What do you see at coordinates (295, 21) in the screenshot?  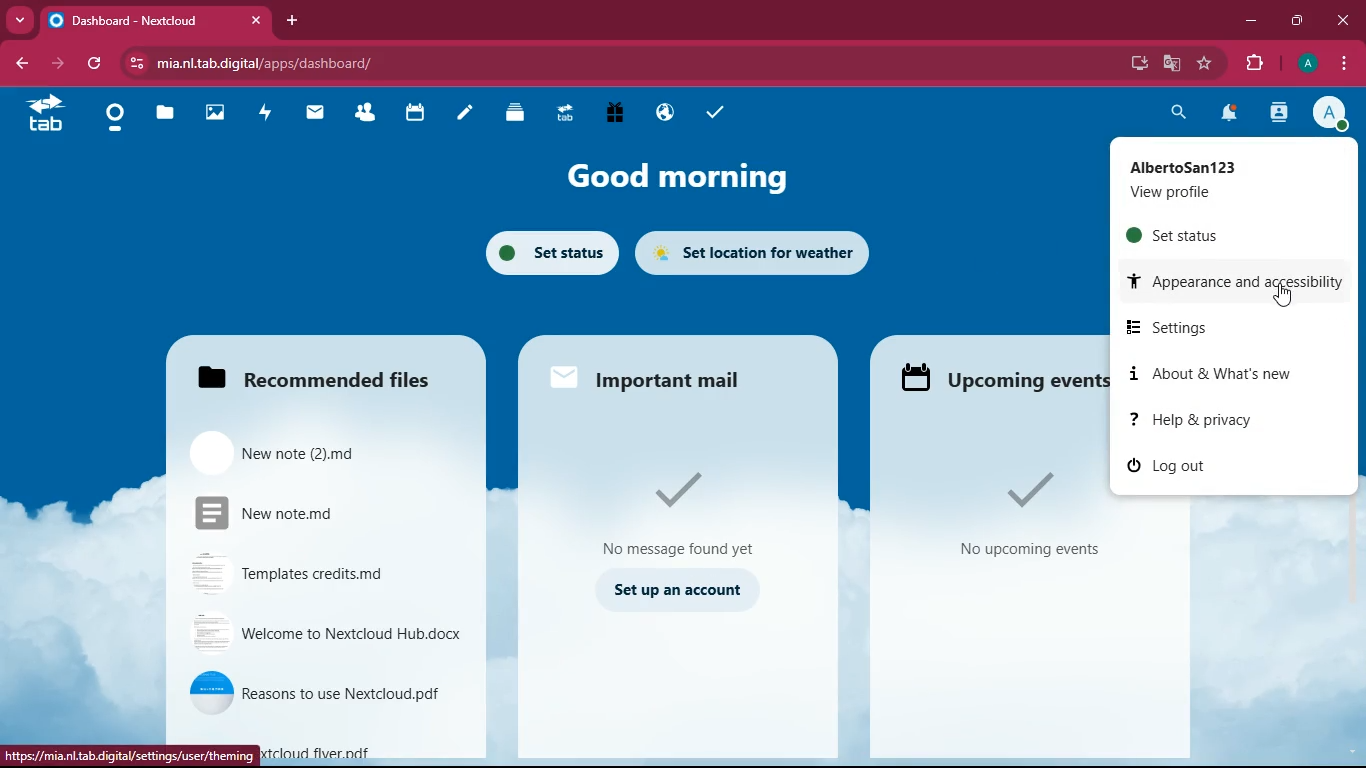 I see `add tab` at bounding box center [295, 21].